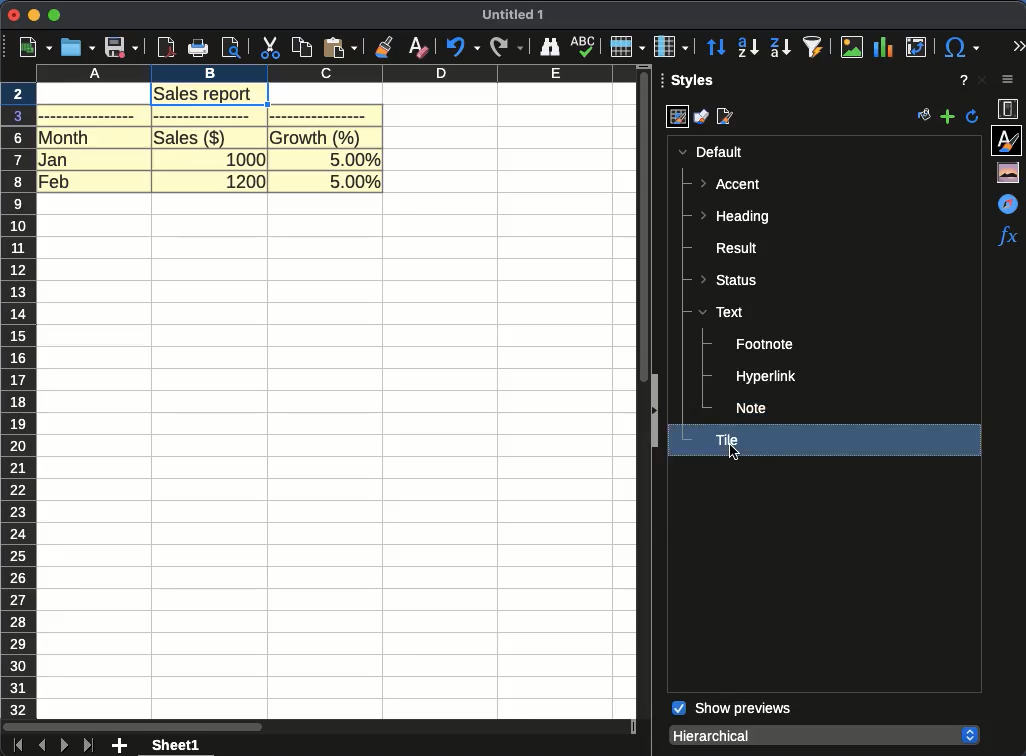 This screenshot has width=1026, height=756. I want to click on image, so click(854, 47).